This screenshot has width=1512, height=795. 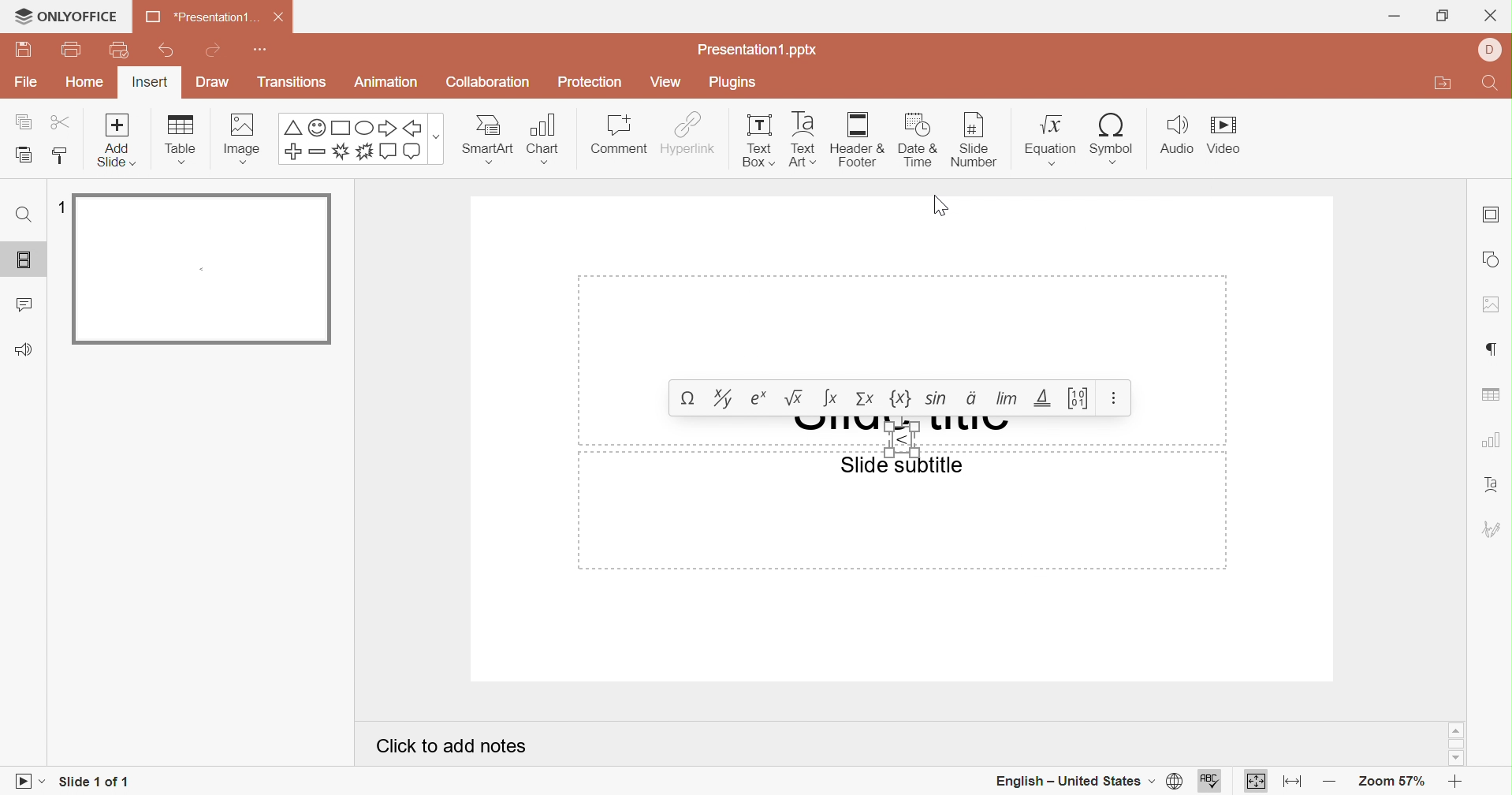 What do you see at coordinates (1492, 212) in the screenshot?
I see `Slide settings` at bounding box center [1492, 212].